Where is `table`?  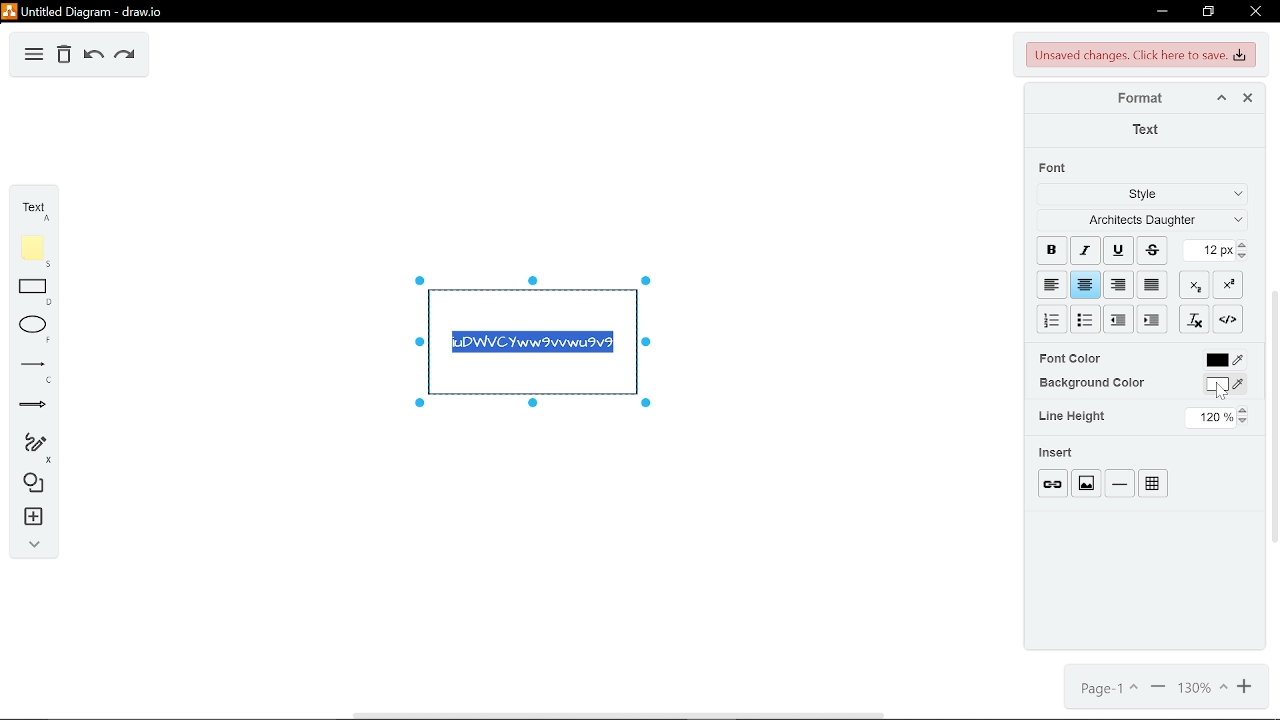 table is located at coordinates (1153, 484).